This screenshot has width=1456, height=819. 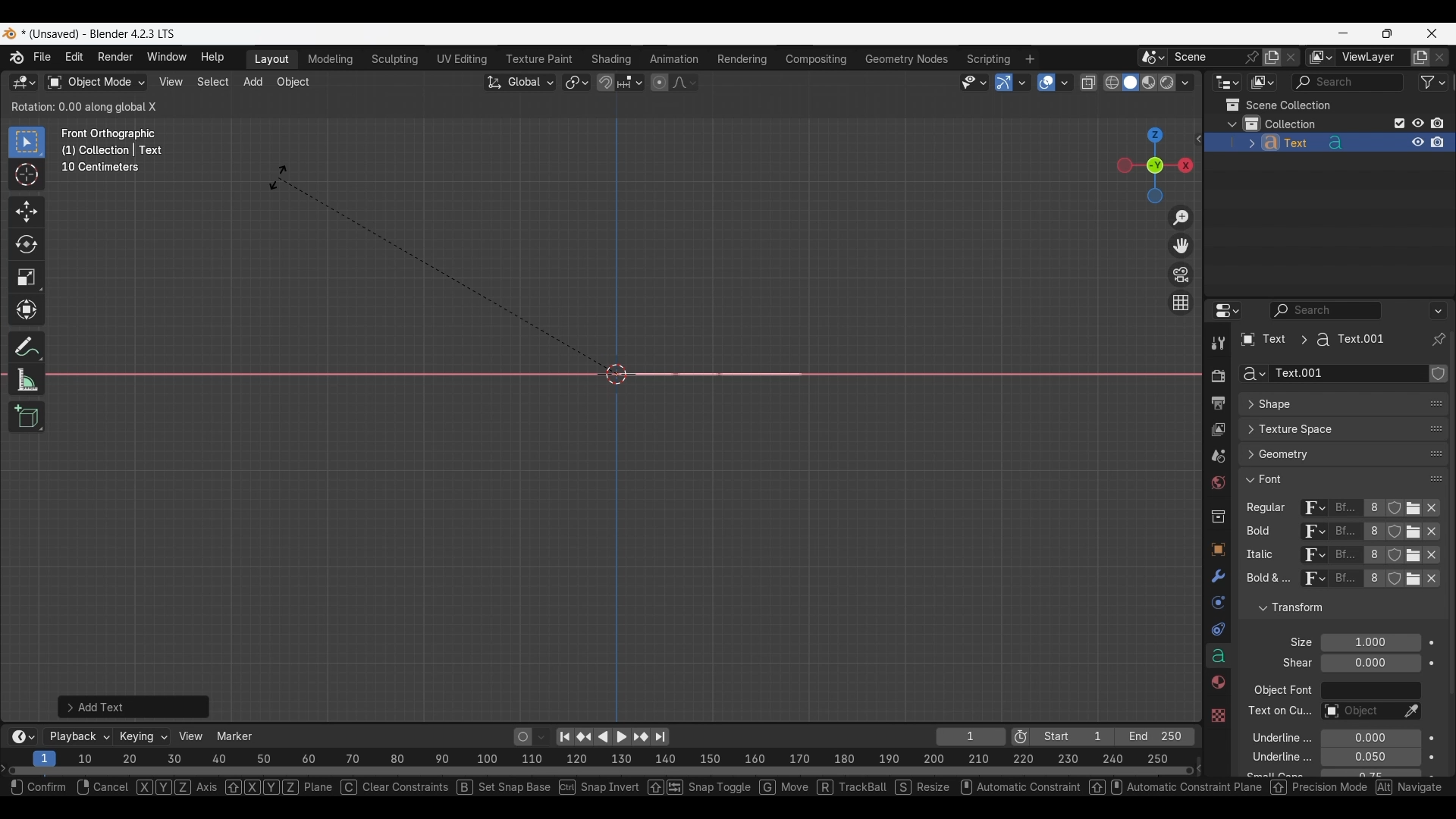 What do you see at coordinates (1370, 663) in the screenshot?
I see `Shear` at bounding box center [1370, 663].